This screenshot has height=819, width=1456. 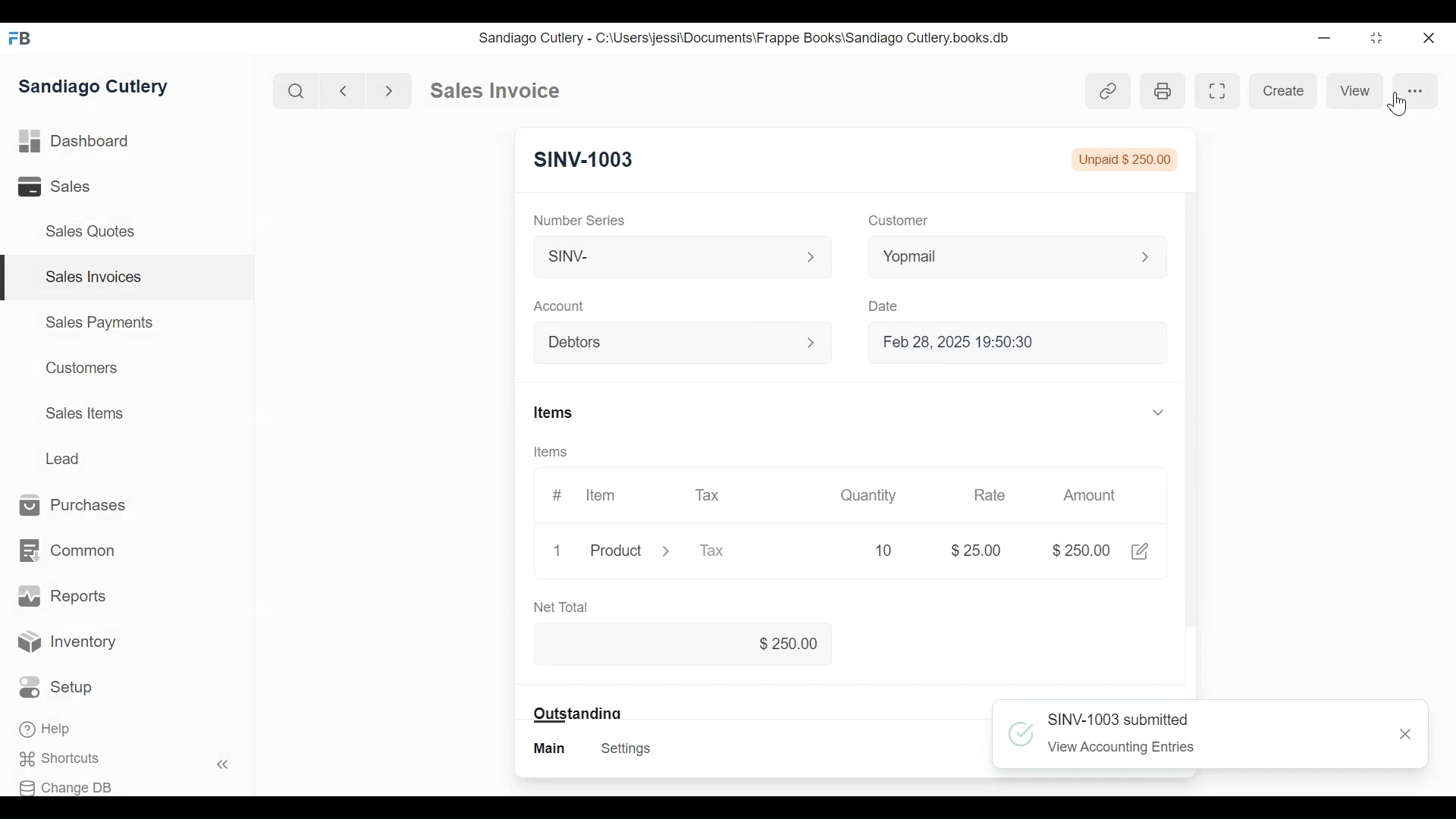 I want to click on Tax, so click(x=706, y=499).